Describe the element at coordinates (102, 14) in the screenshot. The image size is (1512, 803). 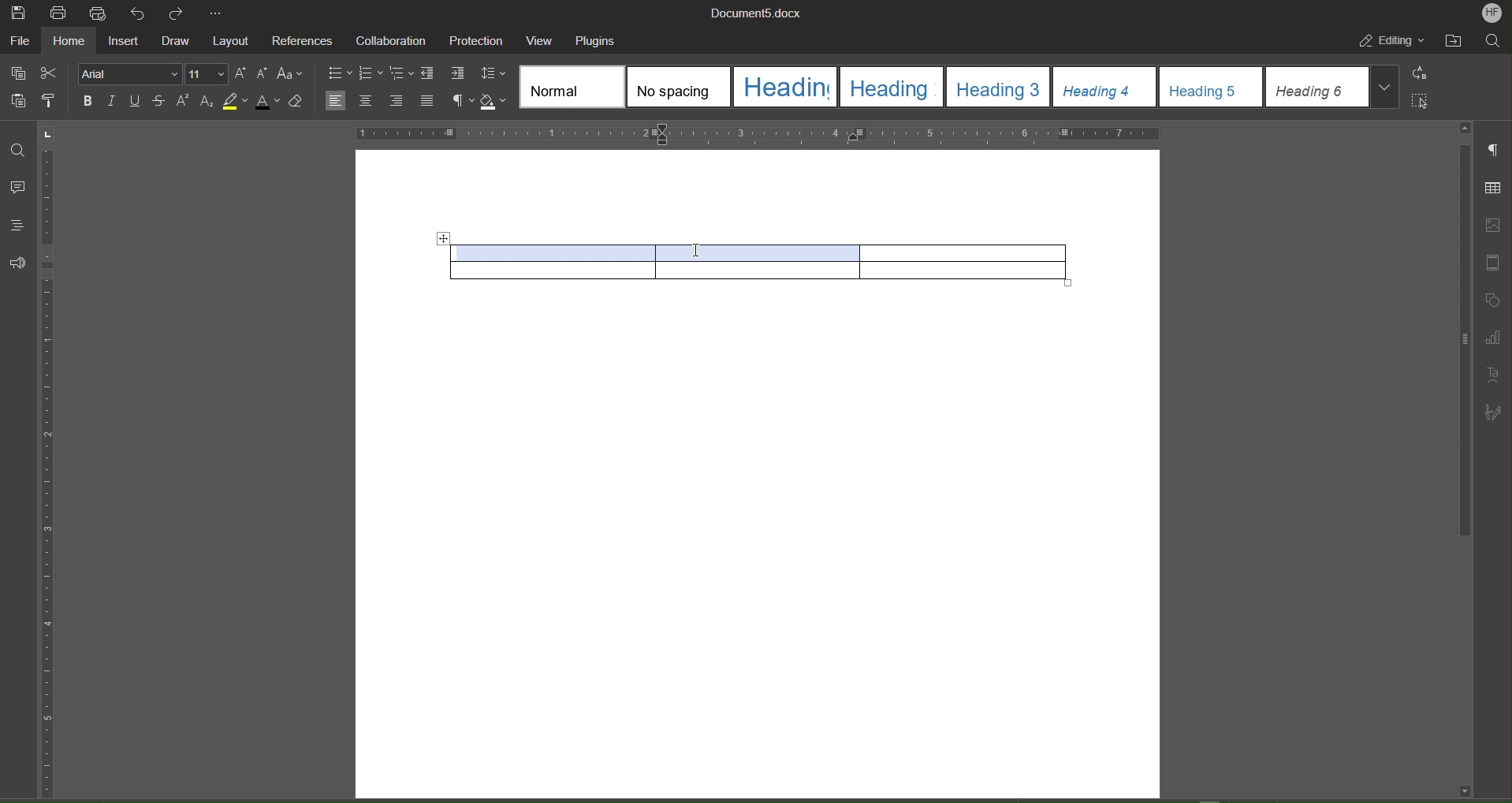
I see `Quick Print` at that location.